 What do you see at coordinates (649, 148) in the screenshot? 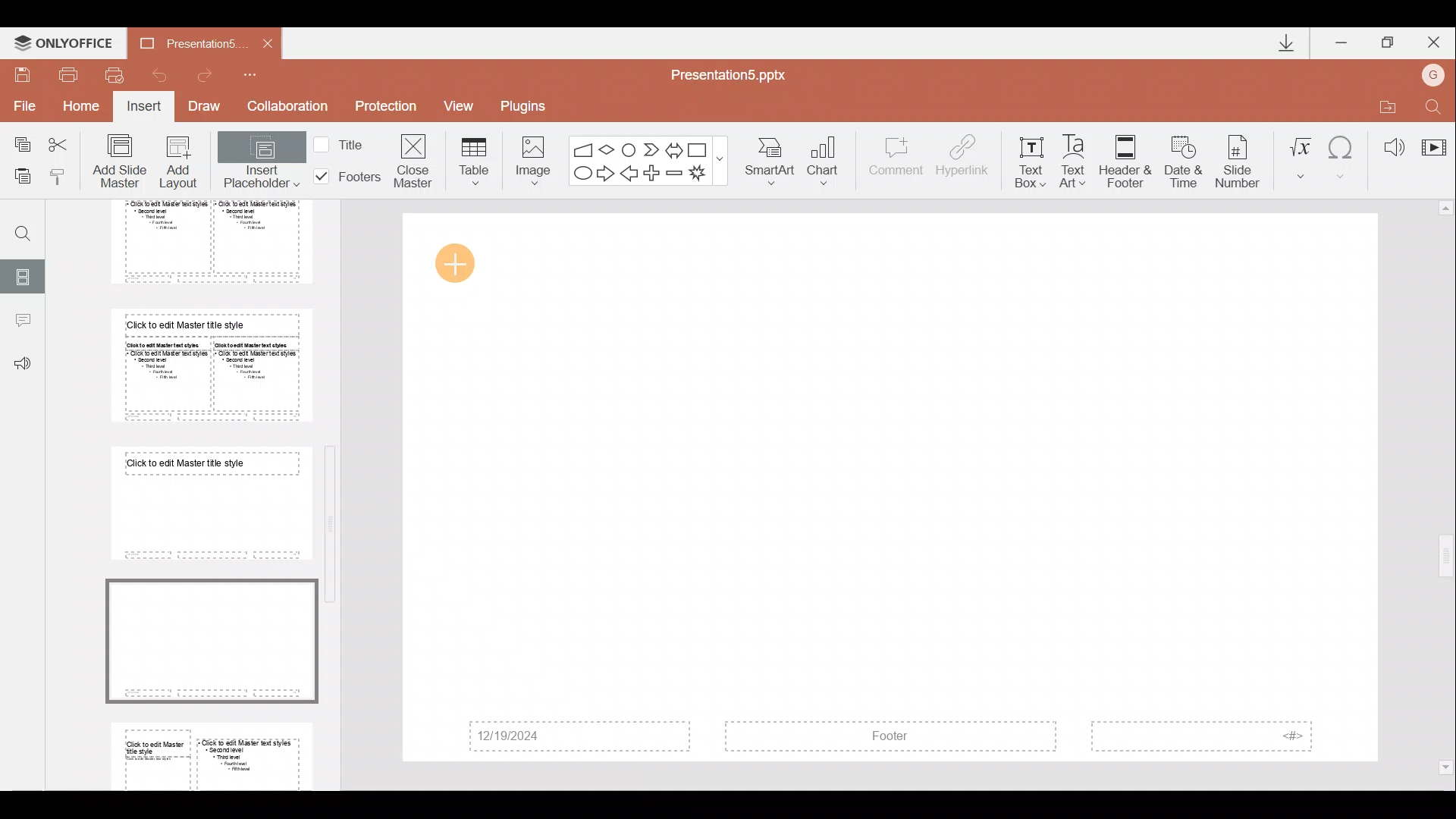
I see `Chevron` at bounding box center [649, 148].